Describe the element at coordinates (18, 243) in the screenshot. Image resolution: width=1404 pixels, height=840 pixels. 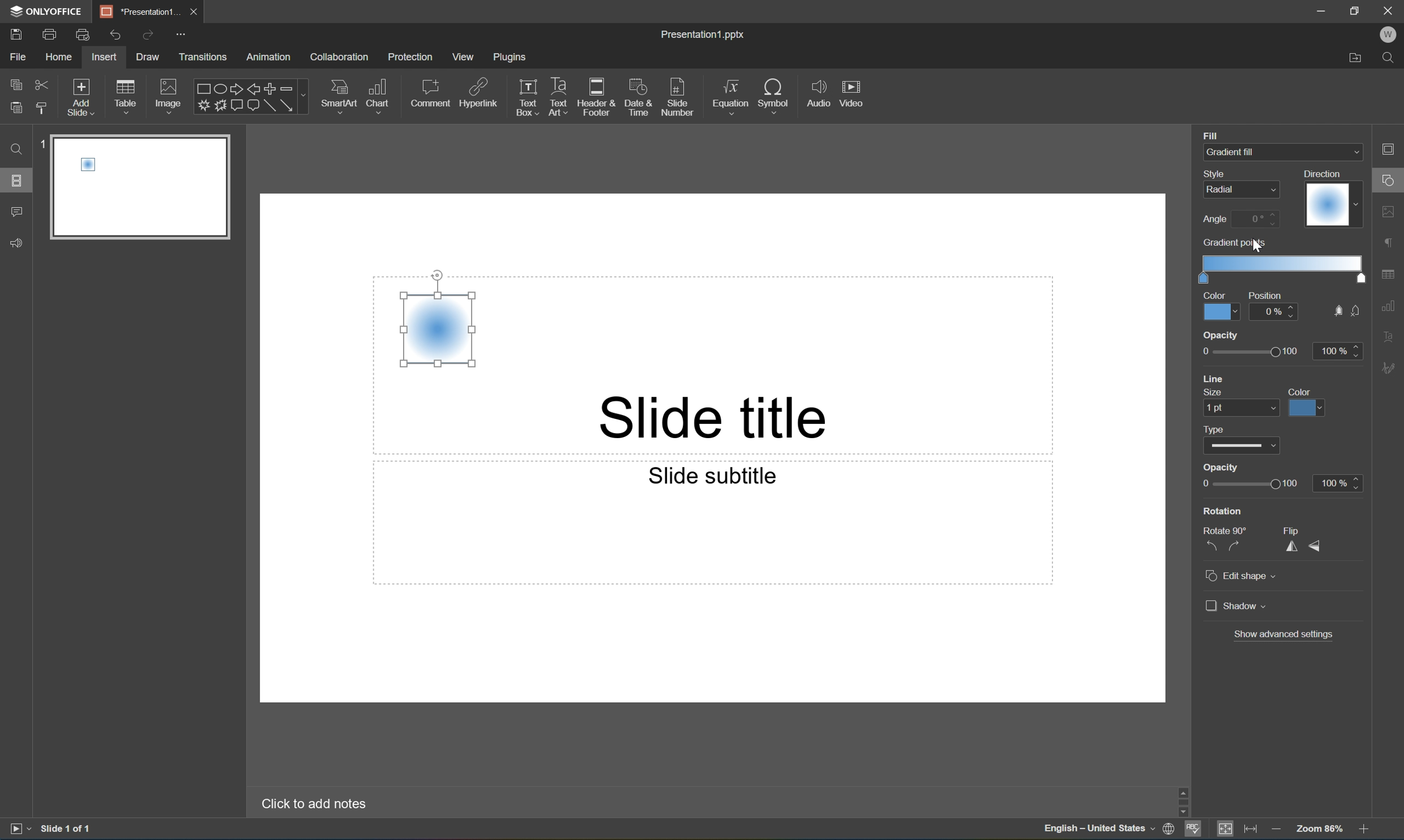
I see `Feedback & Support` at that location.